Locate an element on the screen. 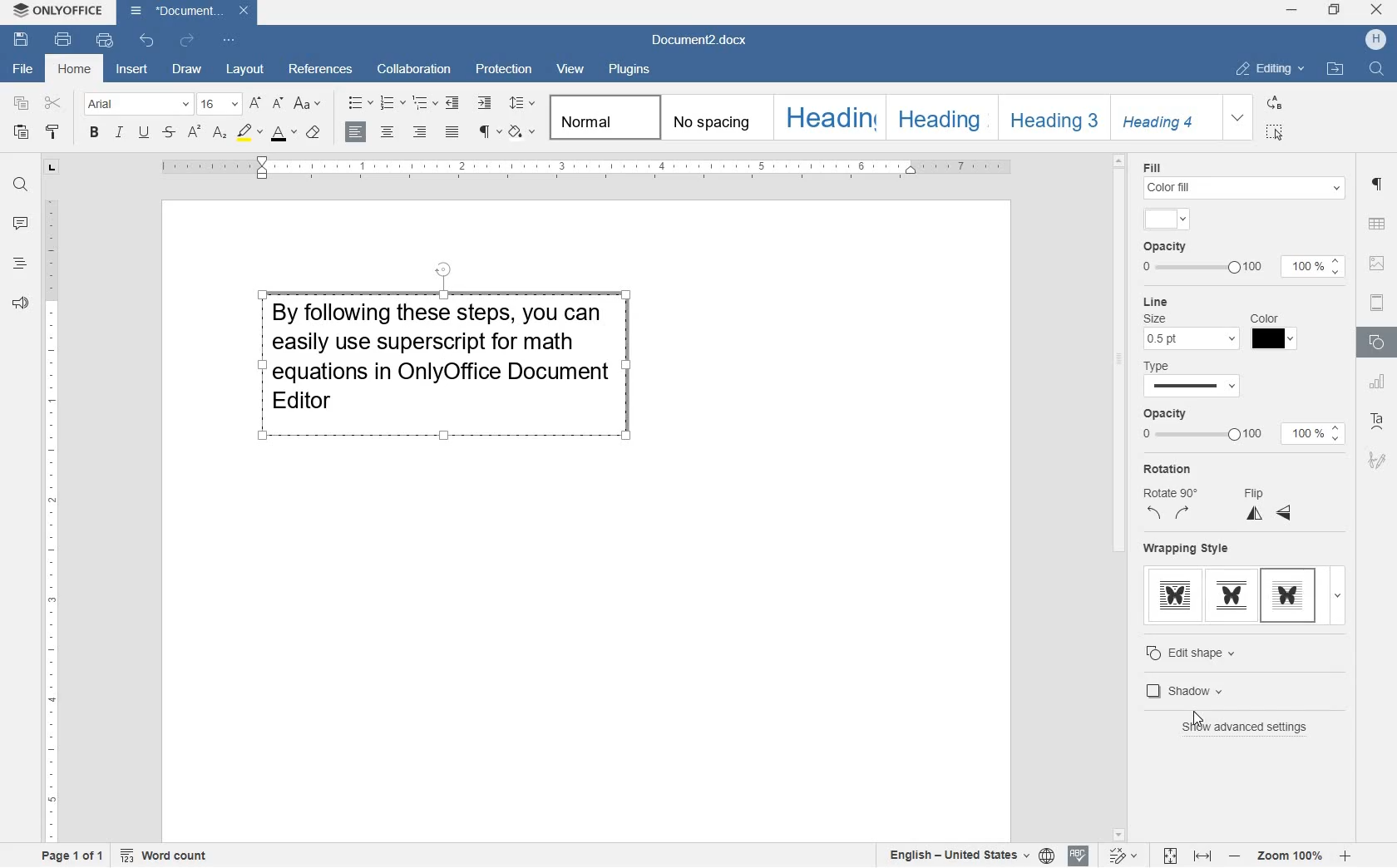 The height and width of the screenshot is (868, 1397). rotation is located at coordinates (1168, 493).